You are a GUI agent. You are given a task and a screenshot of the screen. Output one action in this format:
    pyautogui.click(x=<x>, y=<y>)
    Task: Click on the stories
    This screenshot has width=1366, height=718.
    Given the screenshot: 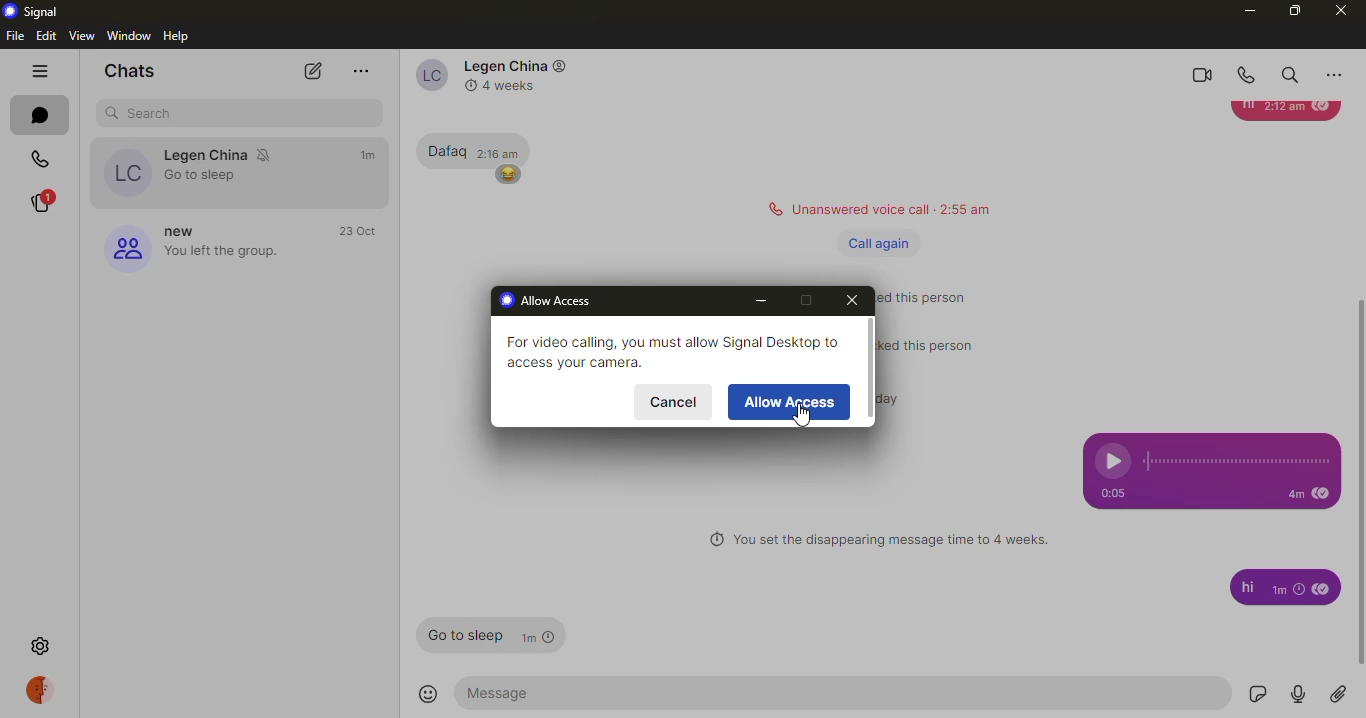 What is the action you would take?
    pyautogui.click(x=47, y=200)
    